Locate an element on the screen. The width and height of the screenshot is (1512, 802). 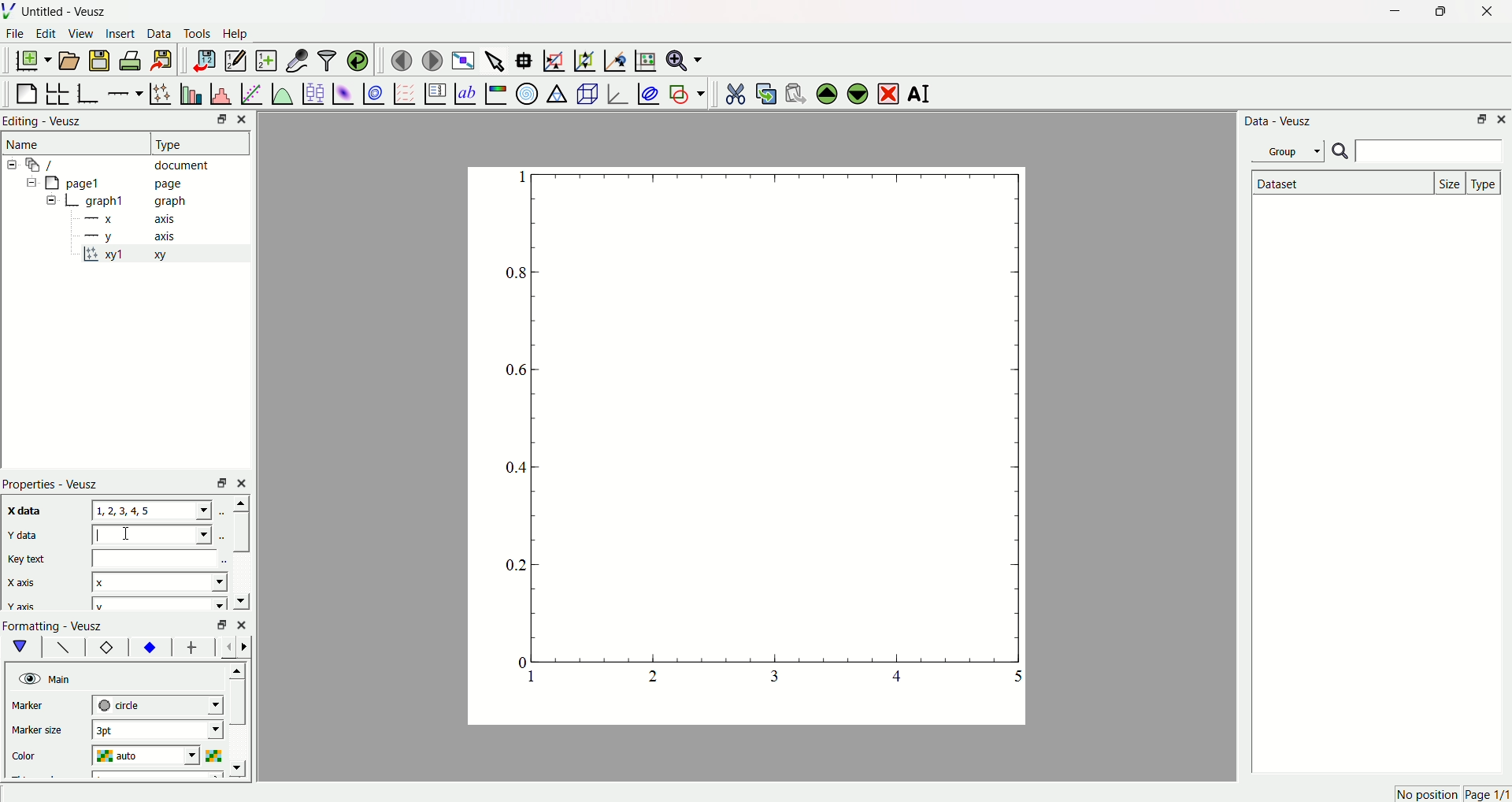
add axis is located at coordinates (125, 91).